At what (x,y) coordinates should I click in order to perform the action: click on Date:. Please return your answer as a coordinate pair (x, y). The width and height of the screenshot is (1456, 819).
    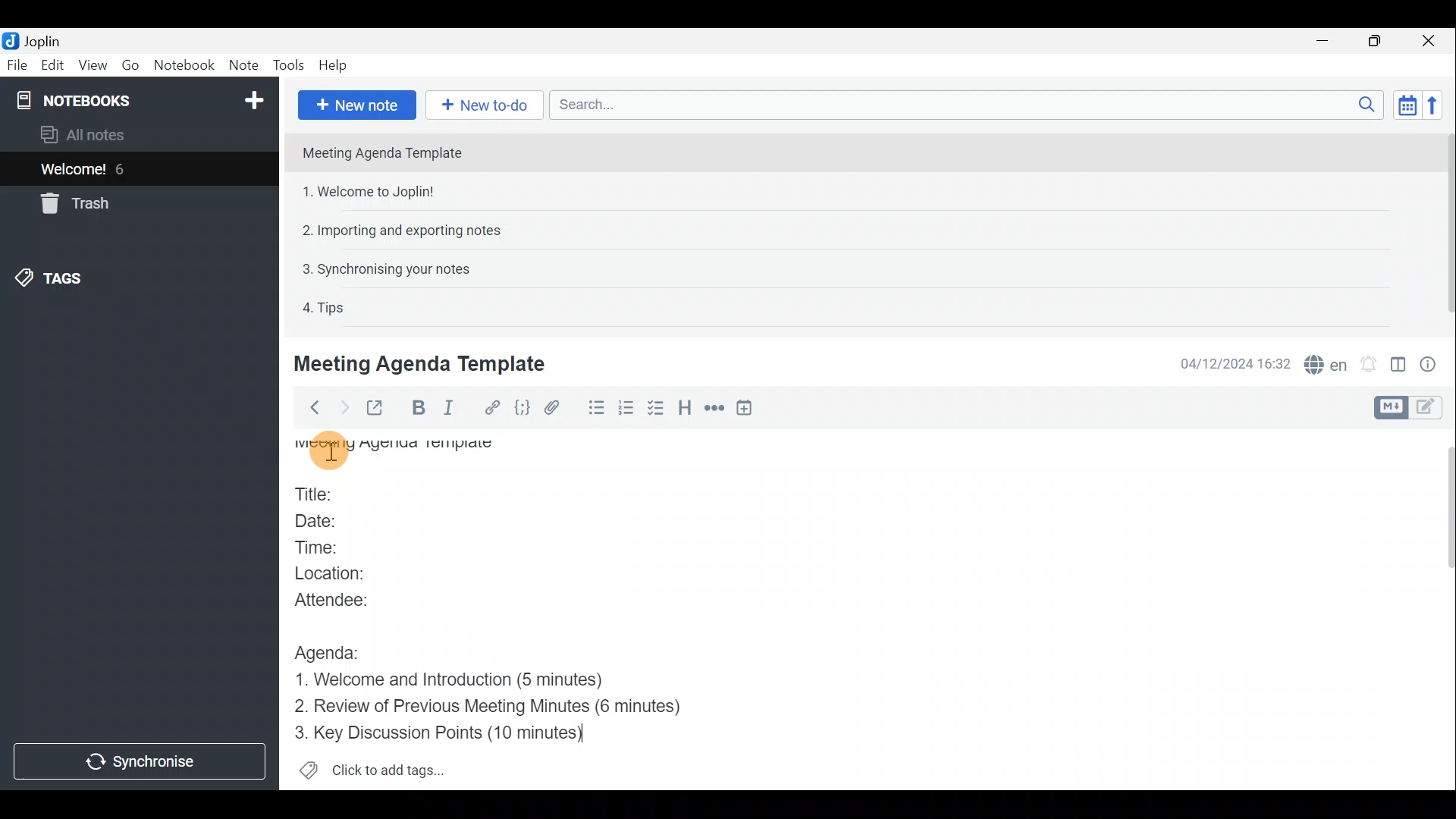
    Looking at the image, I should click on (328, 523).